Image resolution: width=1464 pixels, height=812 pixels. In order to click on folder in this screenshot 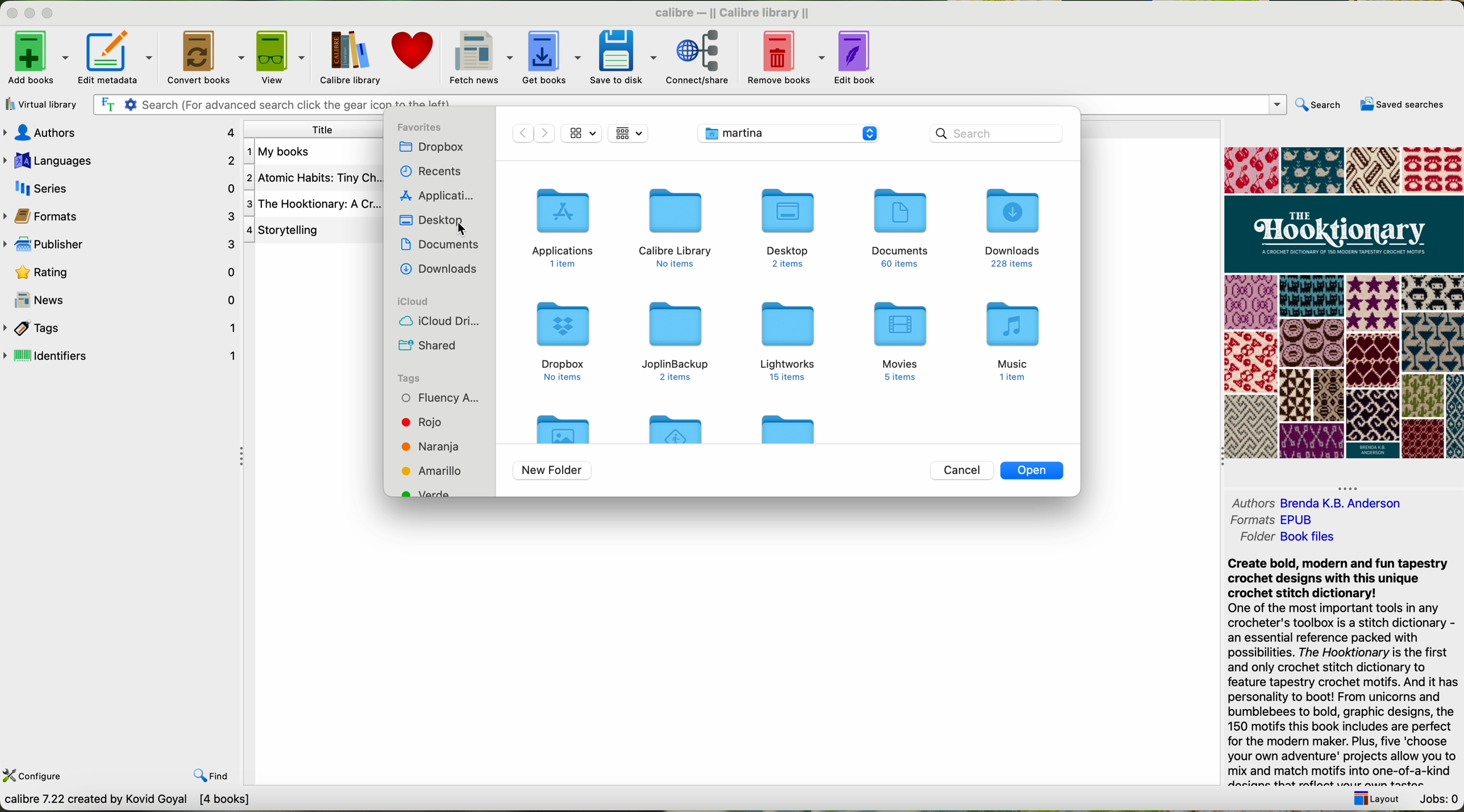, I will do `click(1249, 539)`.